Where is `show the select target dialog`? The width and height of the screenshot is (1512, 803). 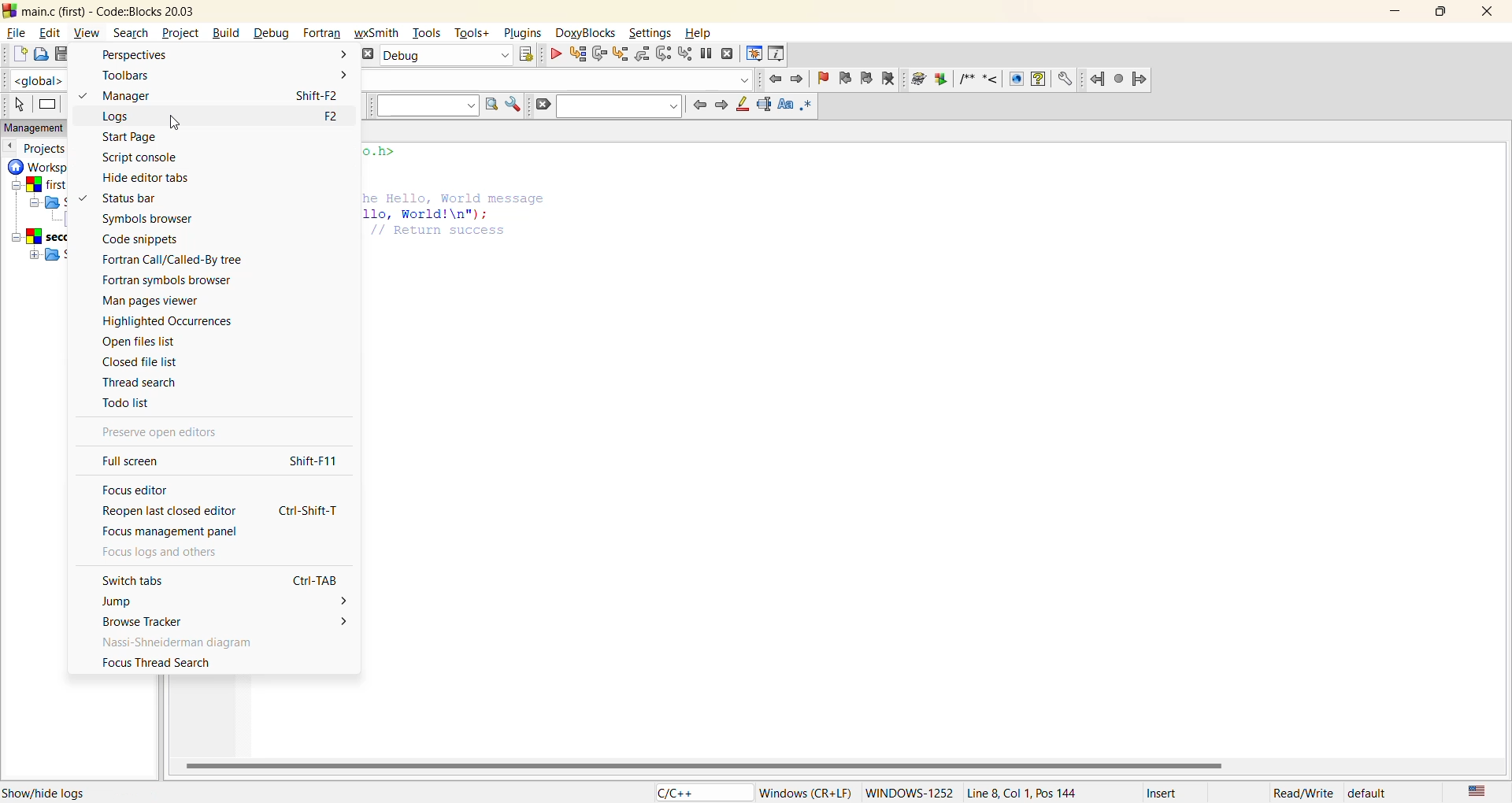 show the select target dialog is located at coordinates (526, 54).